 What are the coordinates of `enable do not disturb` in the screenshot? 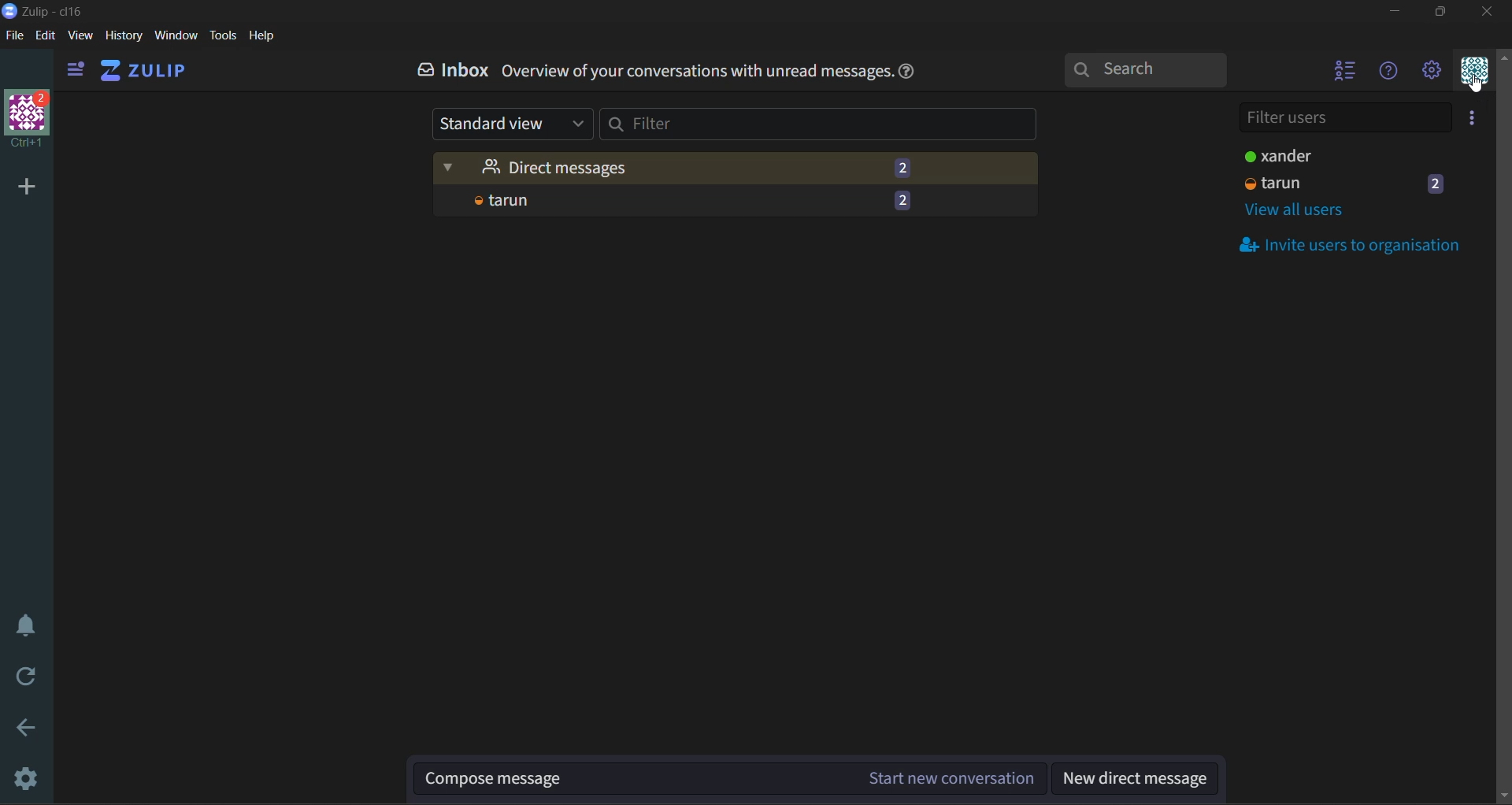 It's located at (24, 632).